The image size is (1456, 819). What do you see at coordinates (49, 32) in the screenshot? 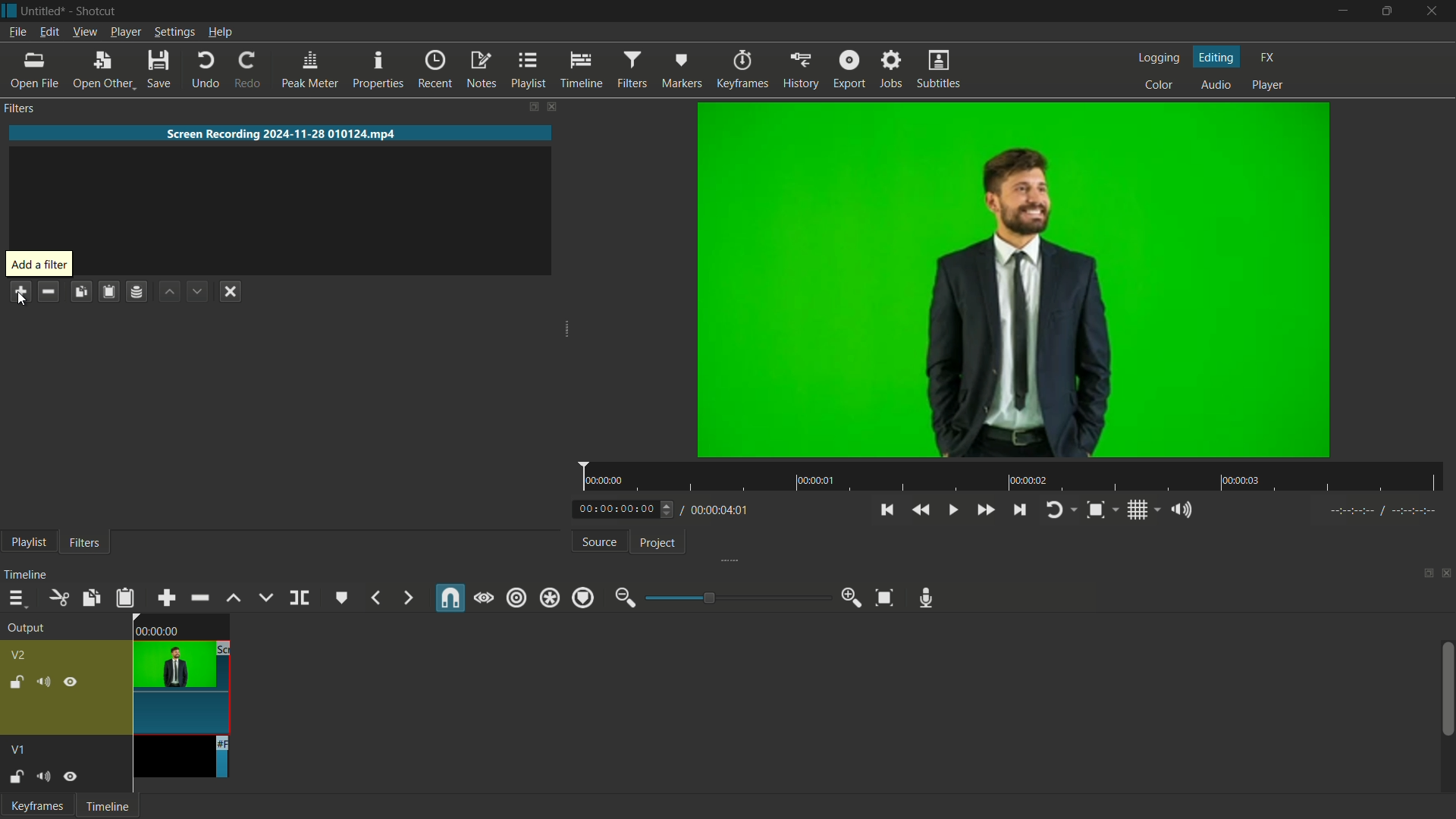
I see `edit menu` at bounding box center [49, 32].